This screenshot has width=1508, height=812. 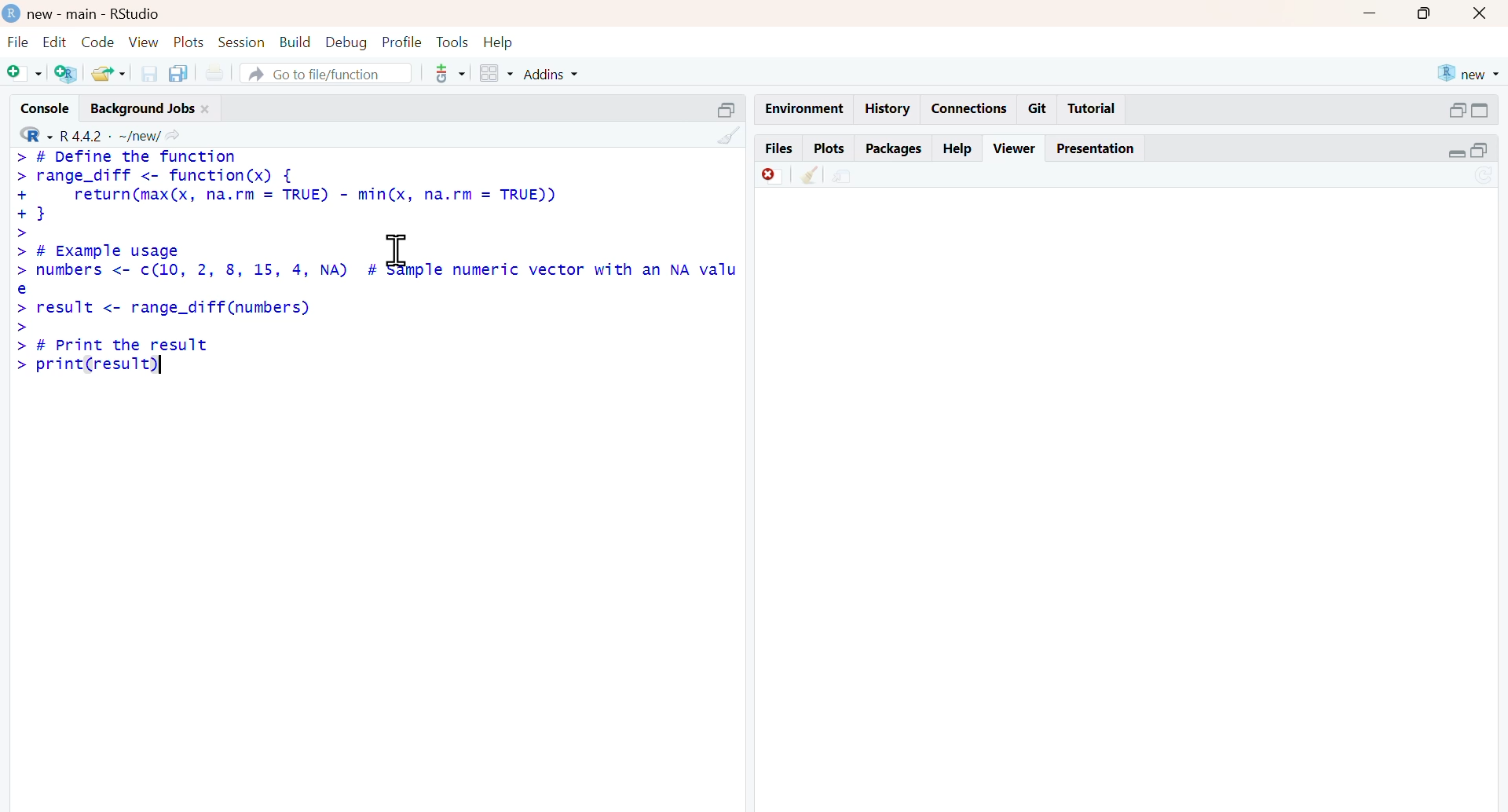 What do you see at coordinates (829, 149) in the screenshot?
I see `plots` at bounding box center [829, 149].